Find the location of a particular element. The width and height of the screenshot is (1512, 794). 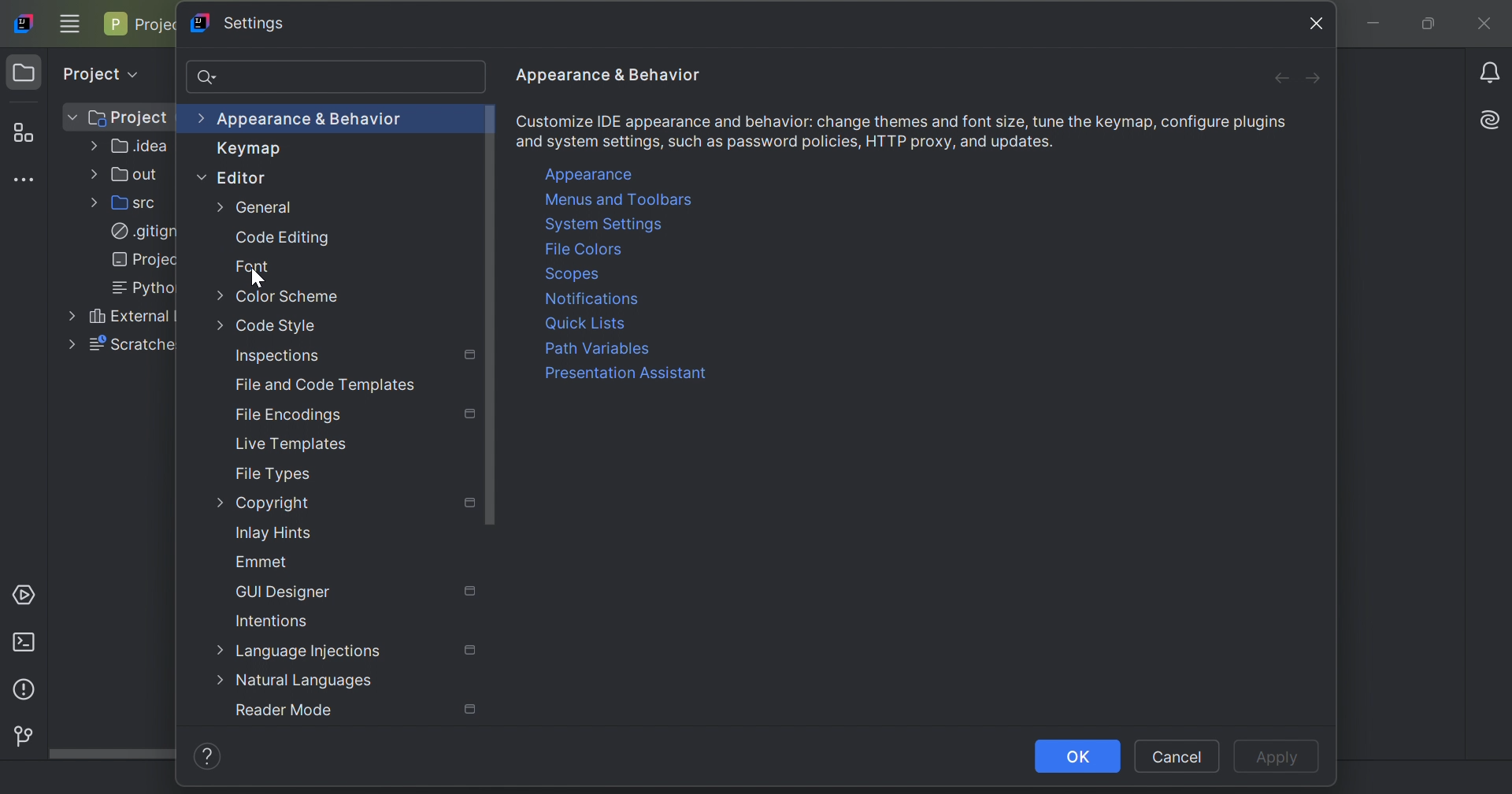

Appearence is located at coordinates (601, 174).